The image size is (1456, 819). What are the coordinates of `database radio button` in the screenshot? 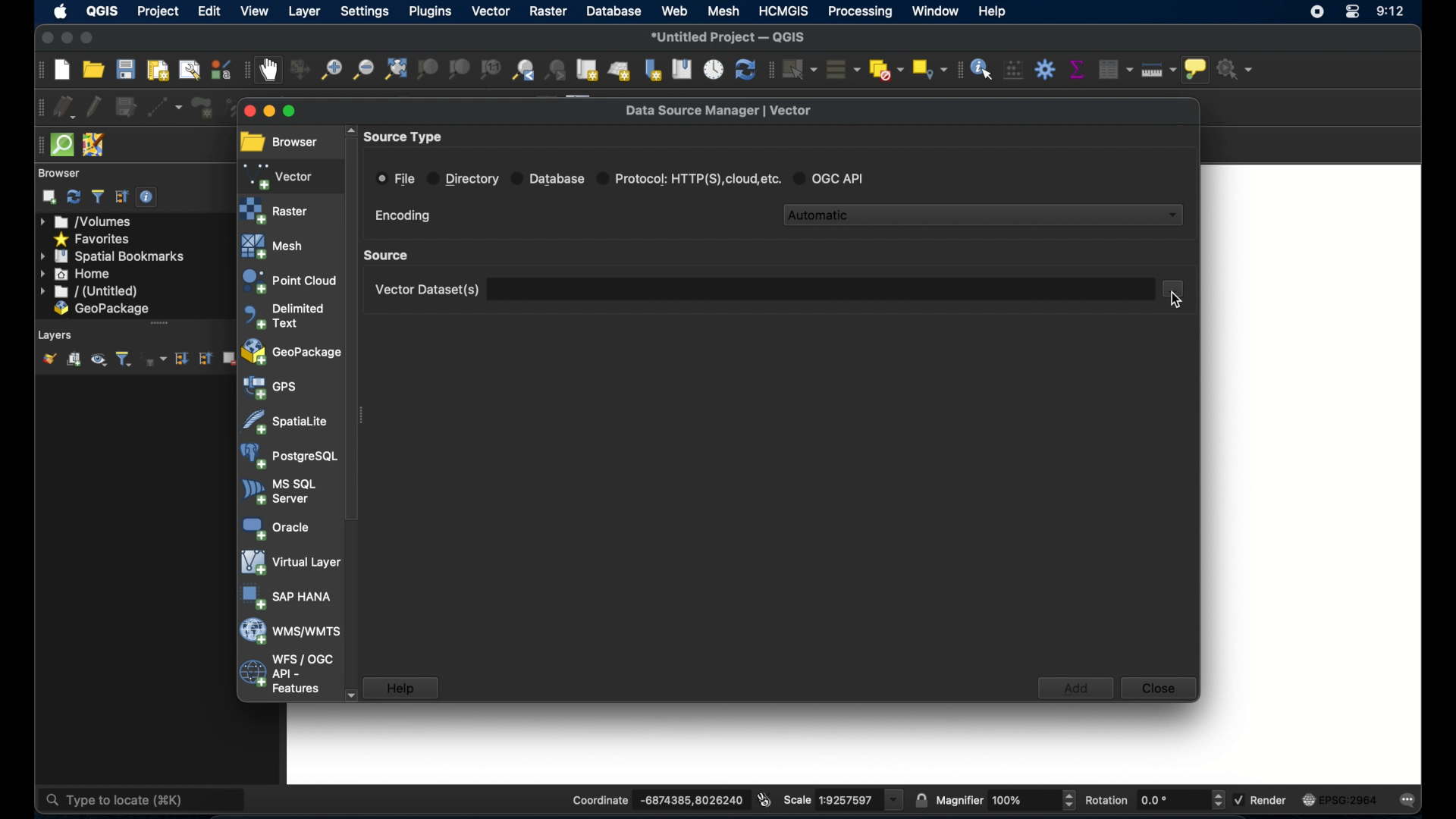 It's located at (548, 177).